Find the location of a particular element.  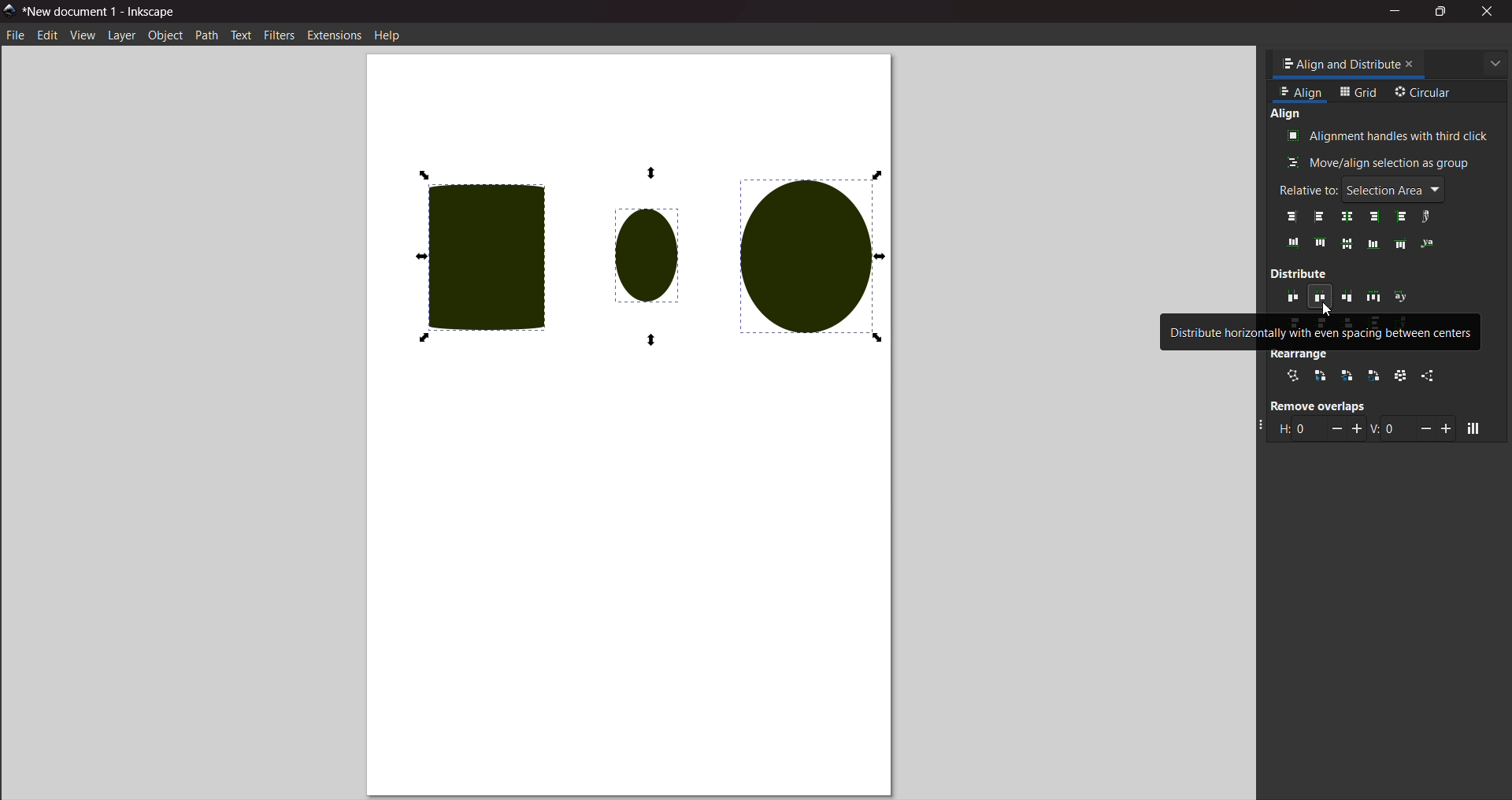

align top is located at coordinates (1401, 244).